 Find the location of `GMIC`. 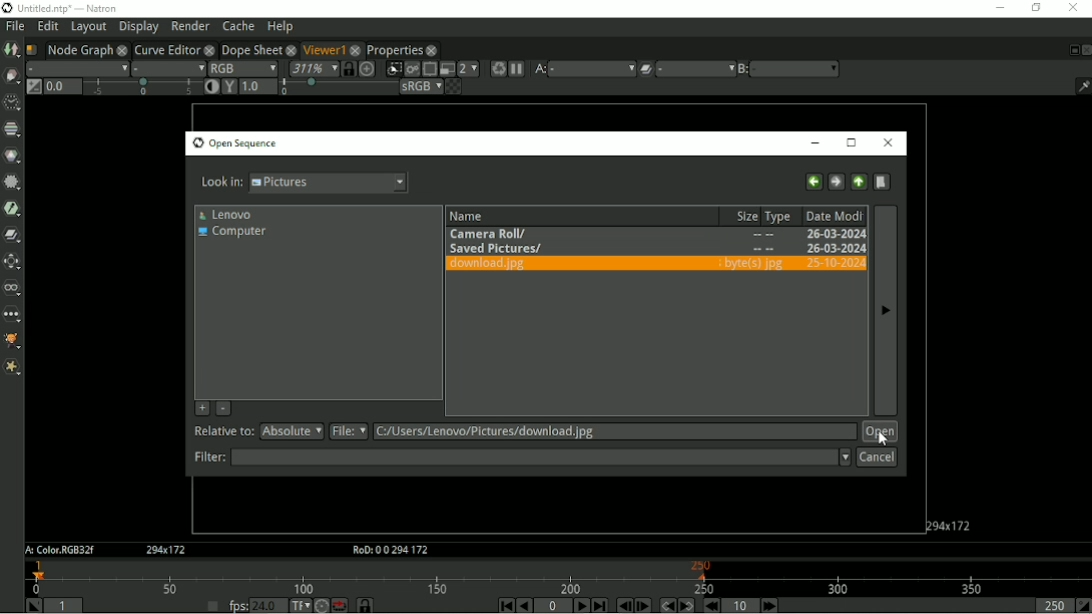

GMIC is located at coordinates (12, 342).